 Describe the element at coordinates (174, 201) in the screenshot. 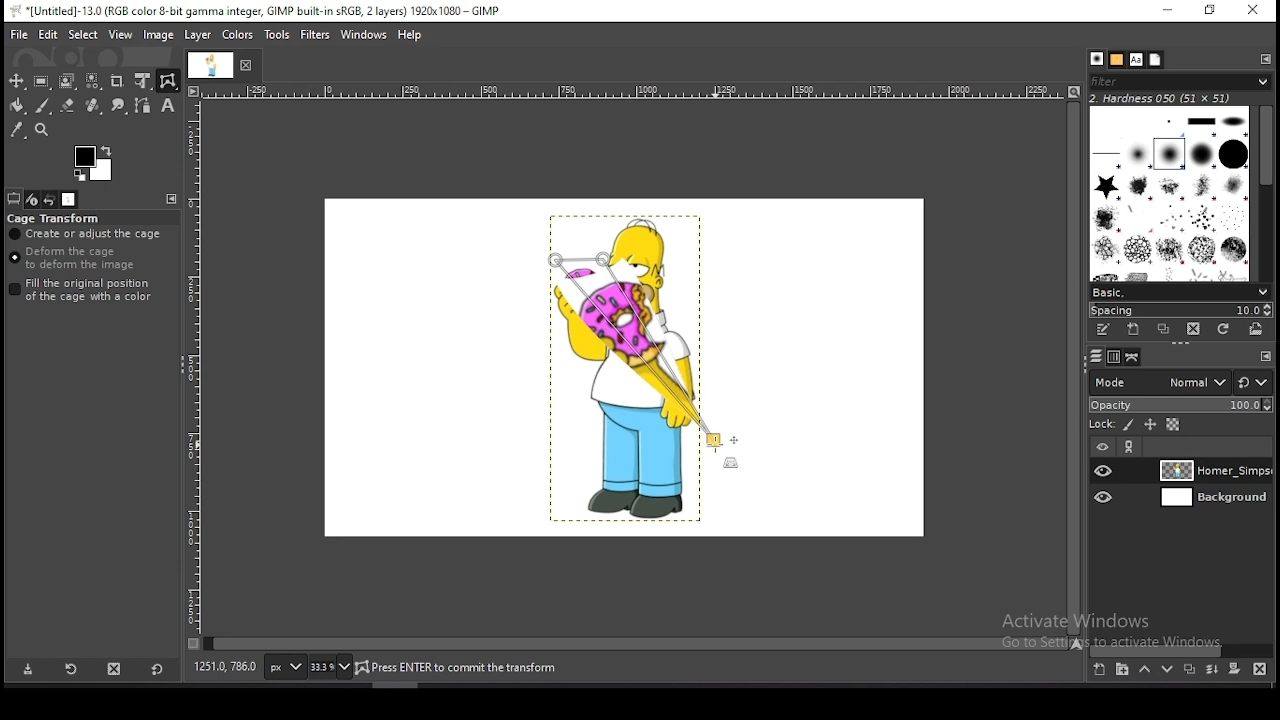

I see `configure this tab` at that location.